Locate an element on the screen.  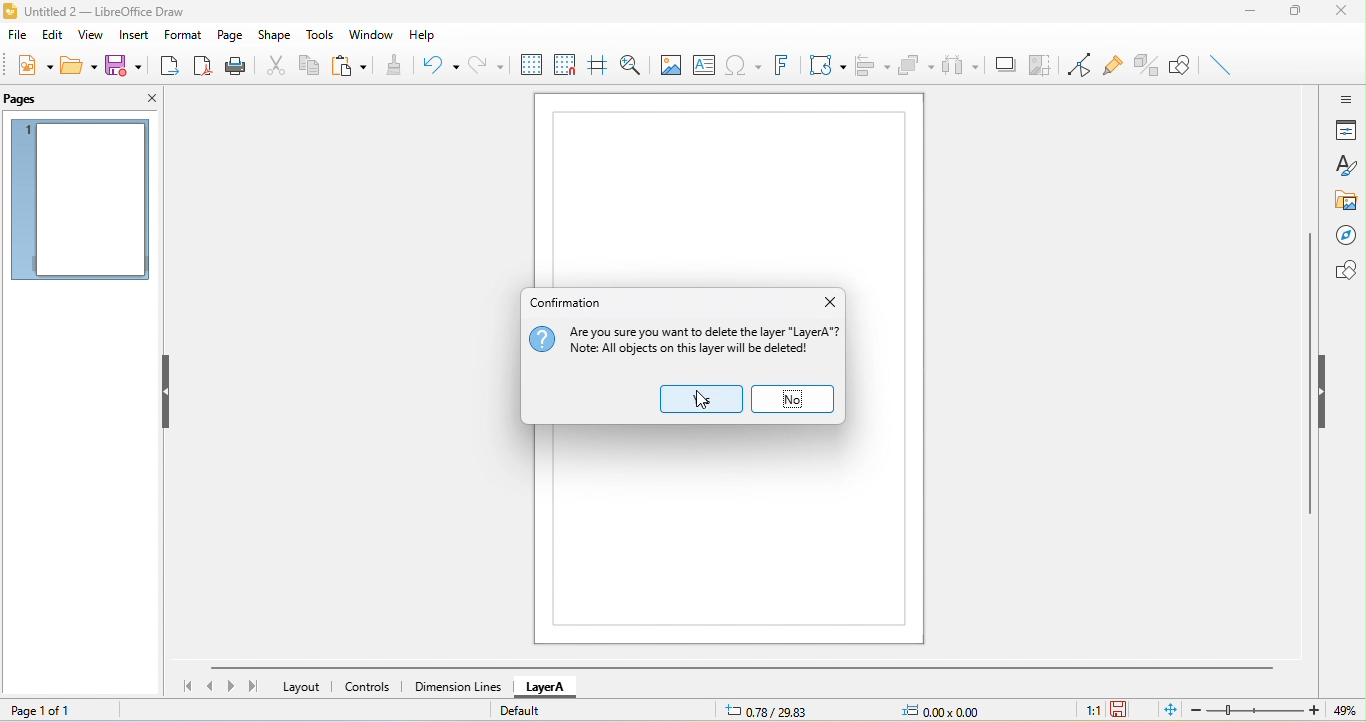
page 1 canvas is located at coordinates (727, 187).